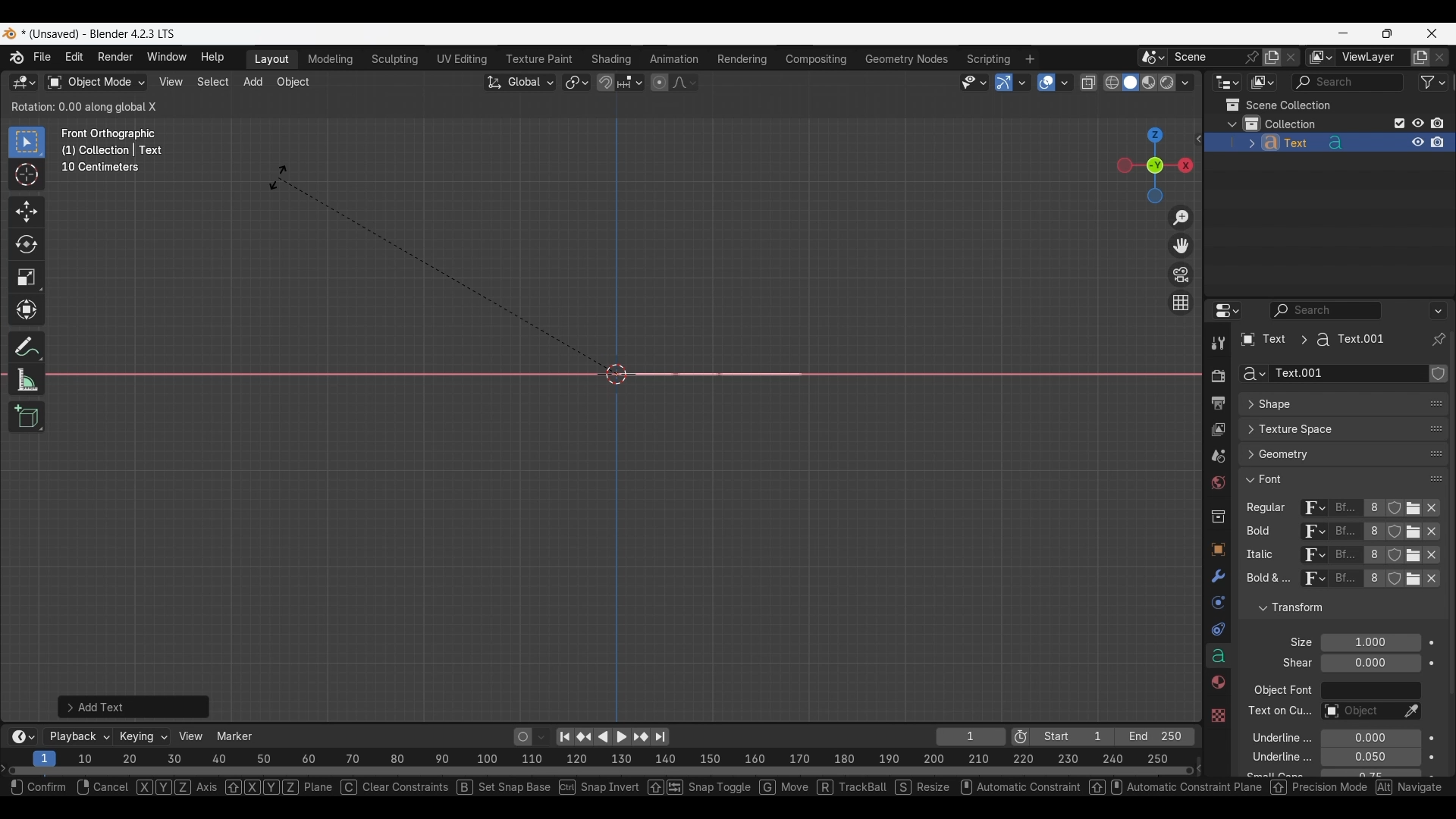 This screenshot has height=819, width=1456. Describe the element at coordinates (27, 278) in the screenshot. I see `Scale` at that location.